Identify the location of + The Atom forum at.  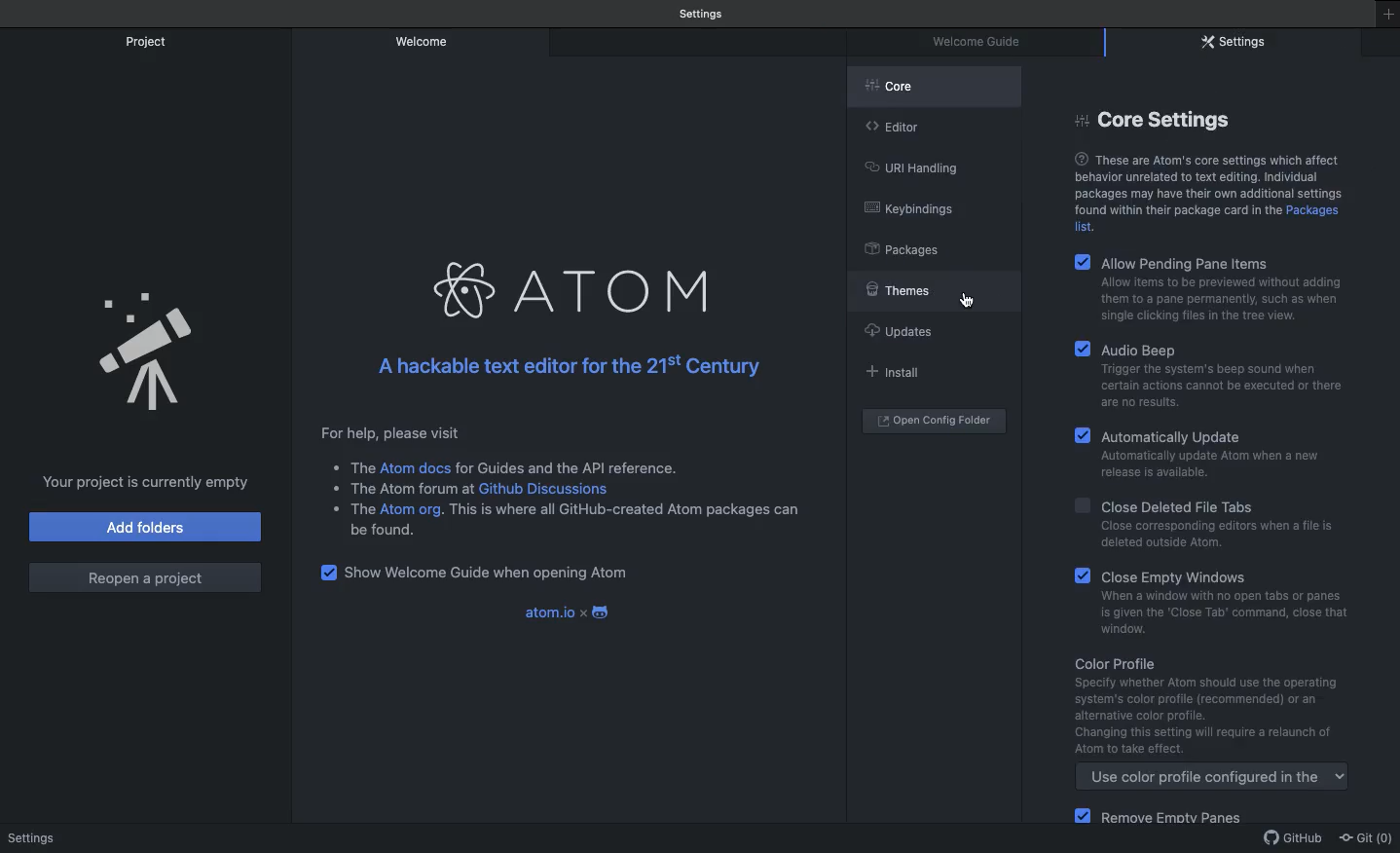
(398, 487).